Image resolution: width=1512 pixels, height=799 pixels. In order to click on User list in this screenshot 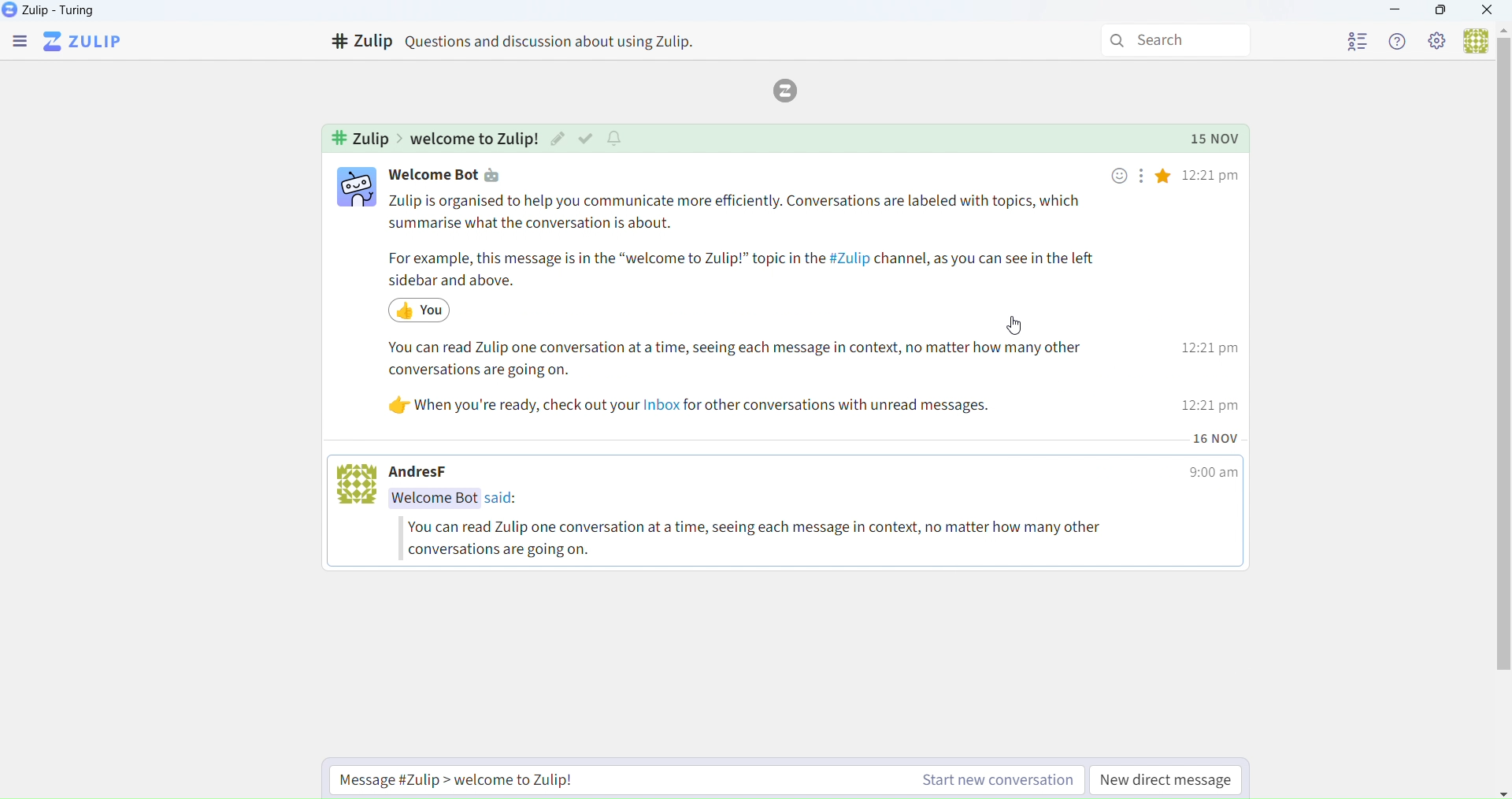, I will do `click(1342, 43)`.